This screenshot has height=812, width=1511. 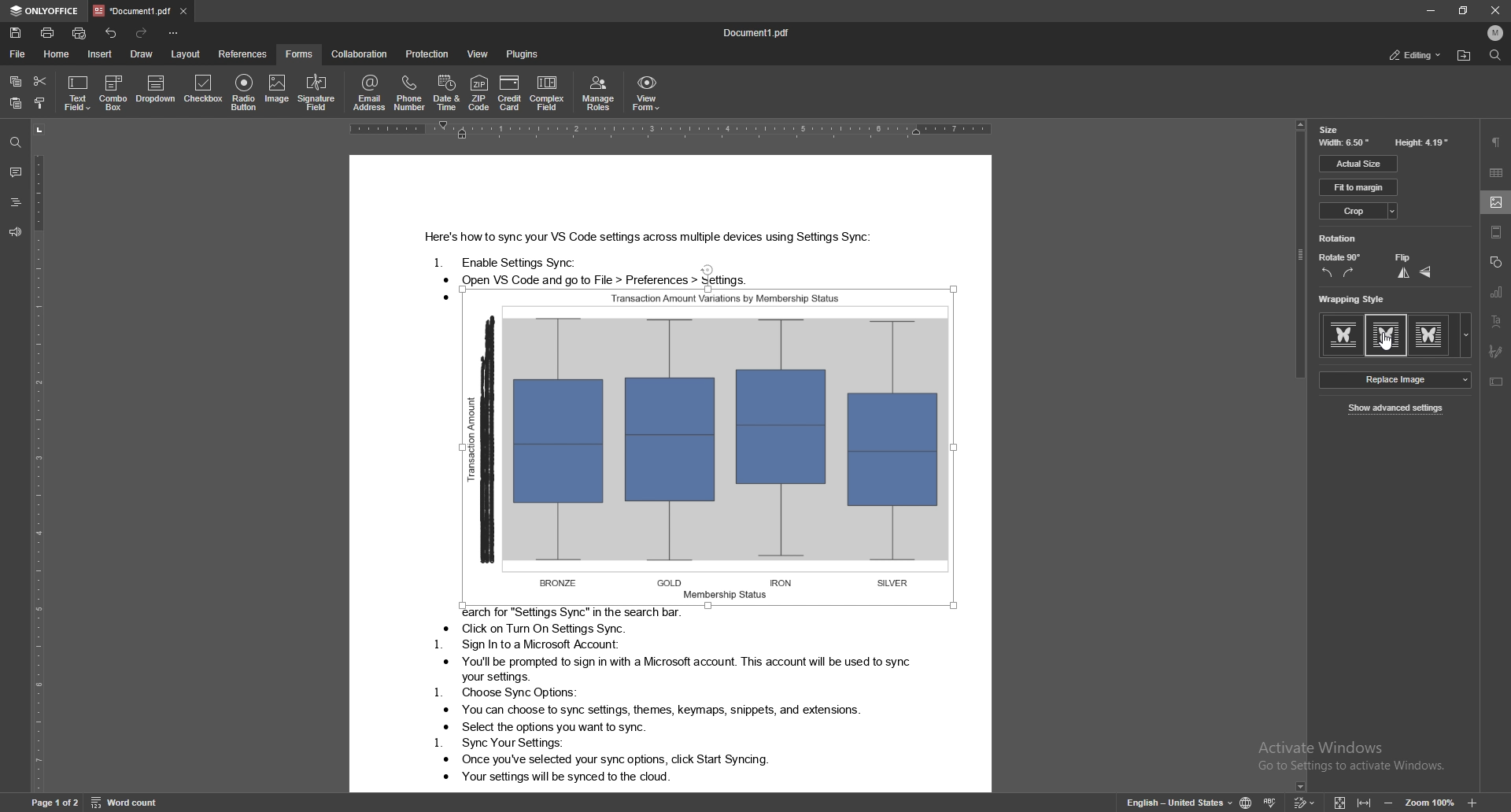 What do you see at coordinates (1497, 232) in the screenshot?
I see `header and footer` at bounding box center [1497, 232].